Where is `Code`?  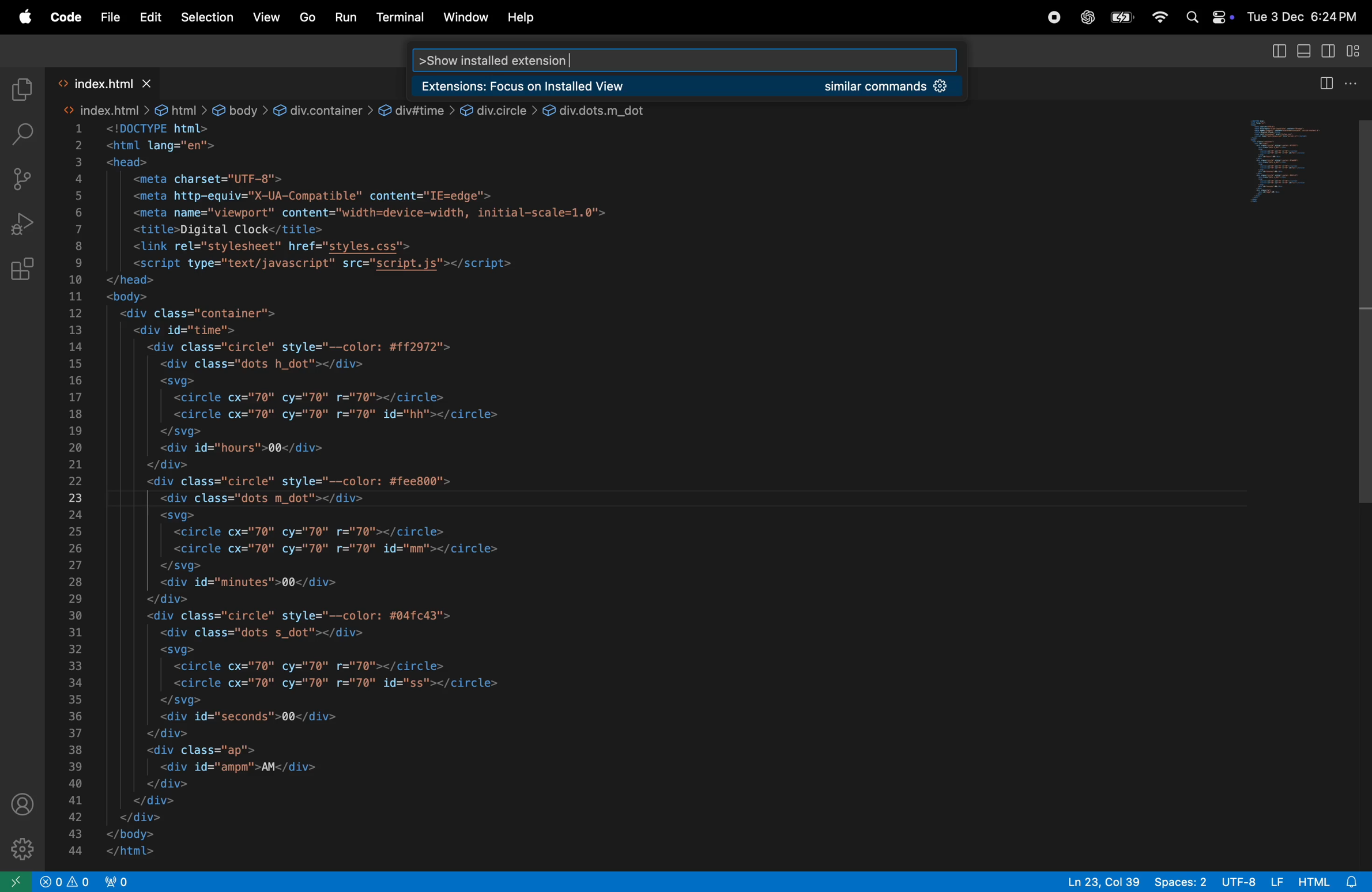 Code is located at coordinates (65, 16).